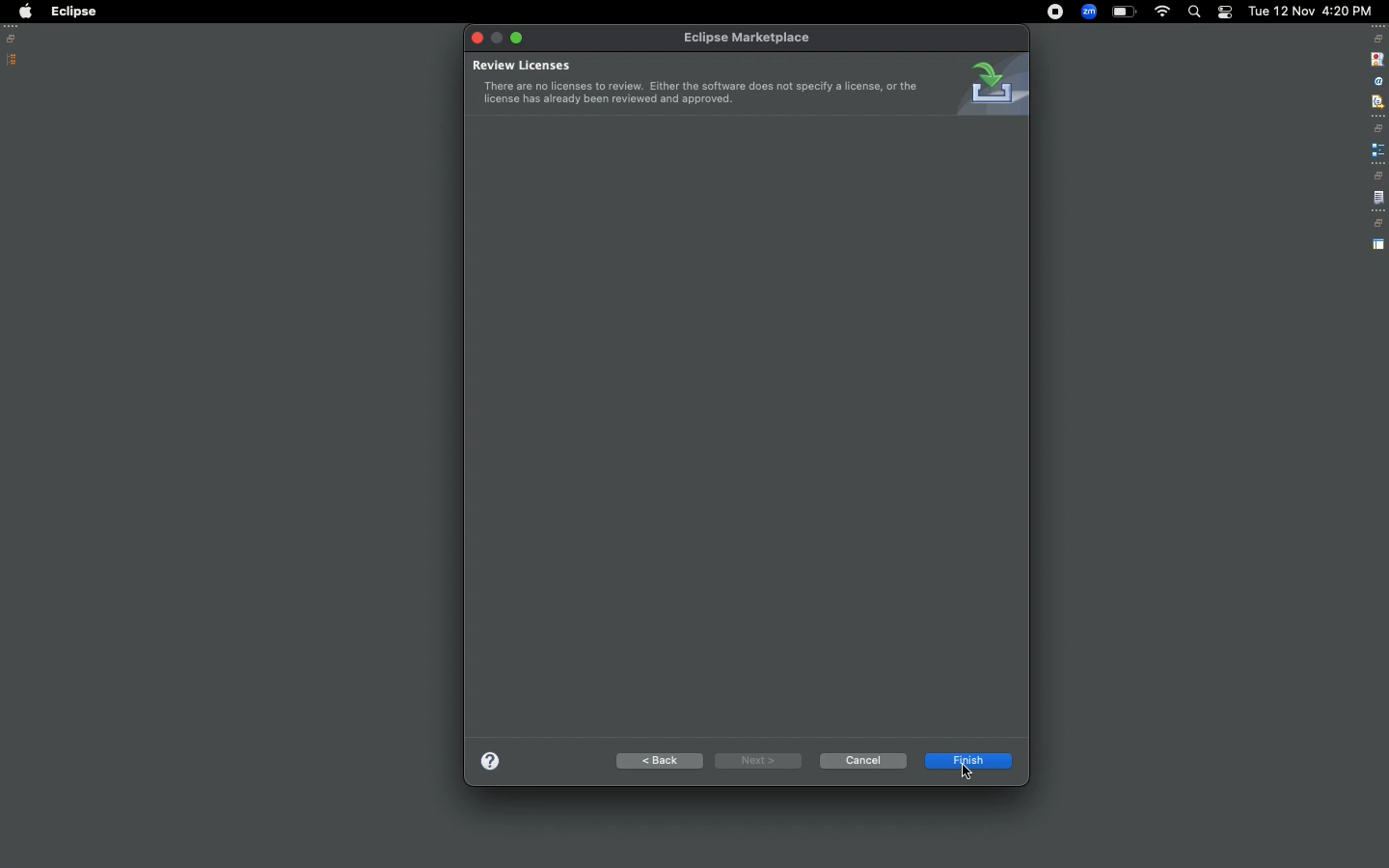 Image resolution: width=1389 pixels, height=868 pixels. What do you see at coordinates (1312, 10) in the screenshot?
I see `Date/time` at bounding box center [1312, 10].